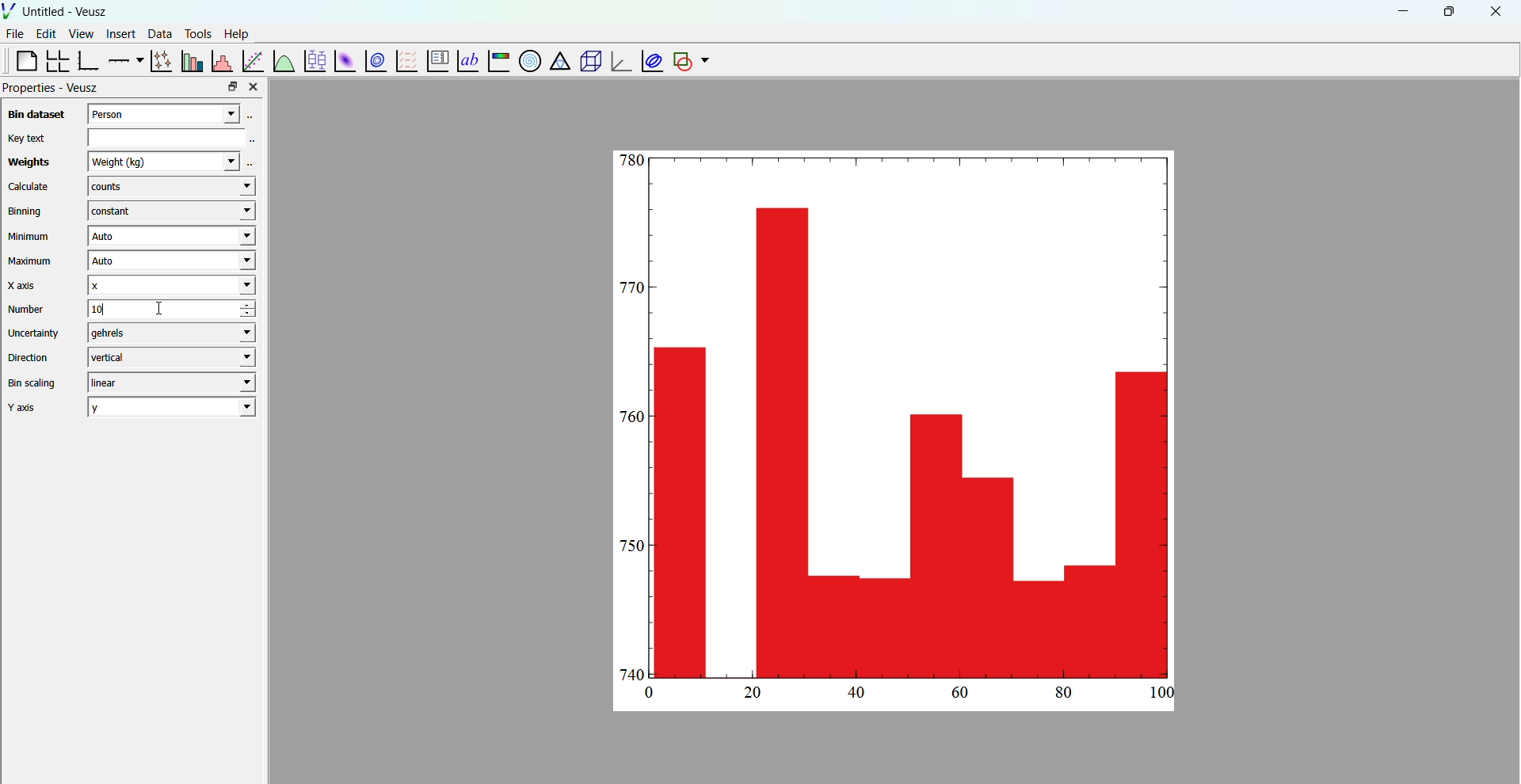 The image size is (1521, 784). Describe the element at coordinates (253, 60) in the screenshot. I see `fit a function to a date` at that location.